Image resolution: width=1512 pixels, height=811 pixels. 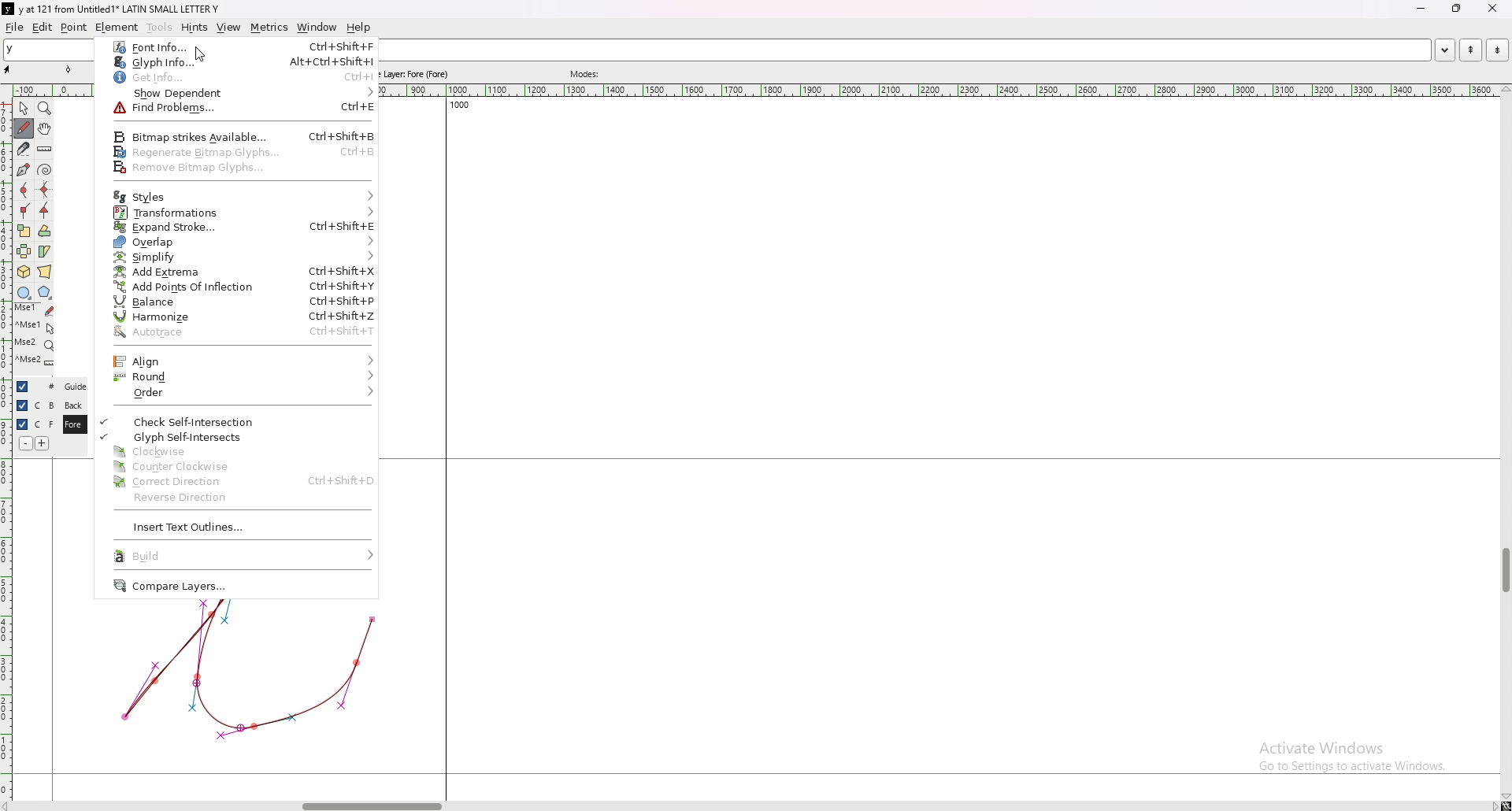 I want to click on flip the selection, so click(x=24, y=251).